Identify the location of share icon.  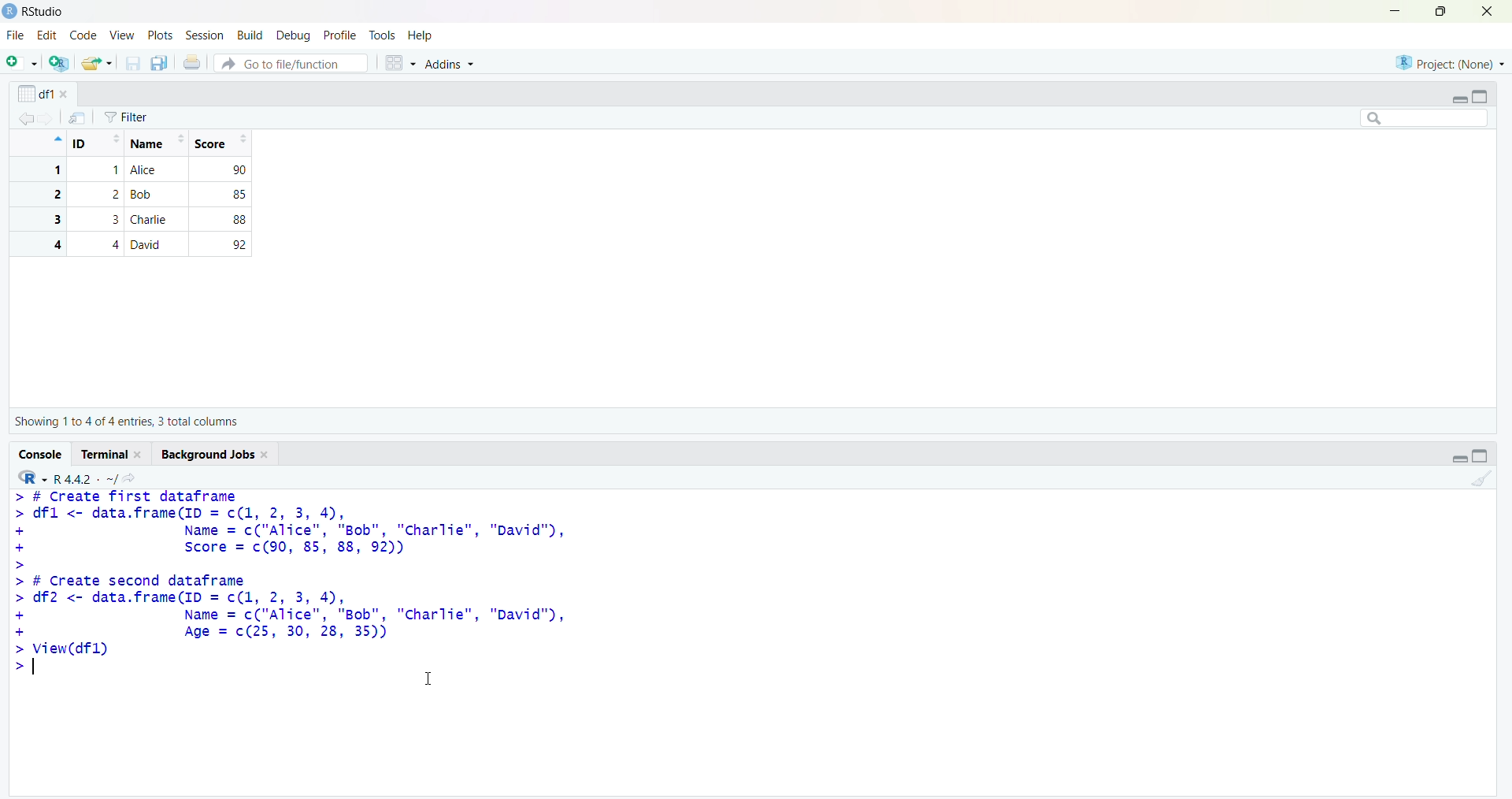
(130, 478).